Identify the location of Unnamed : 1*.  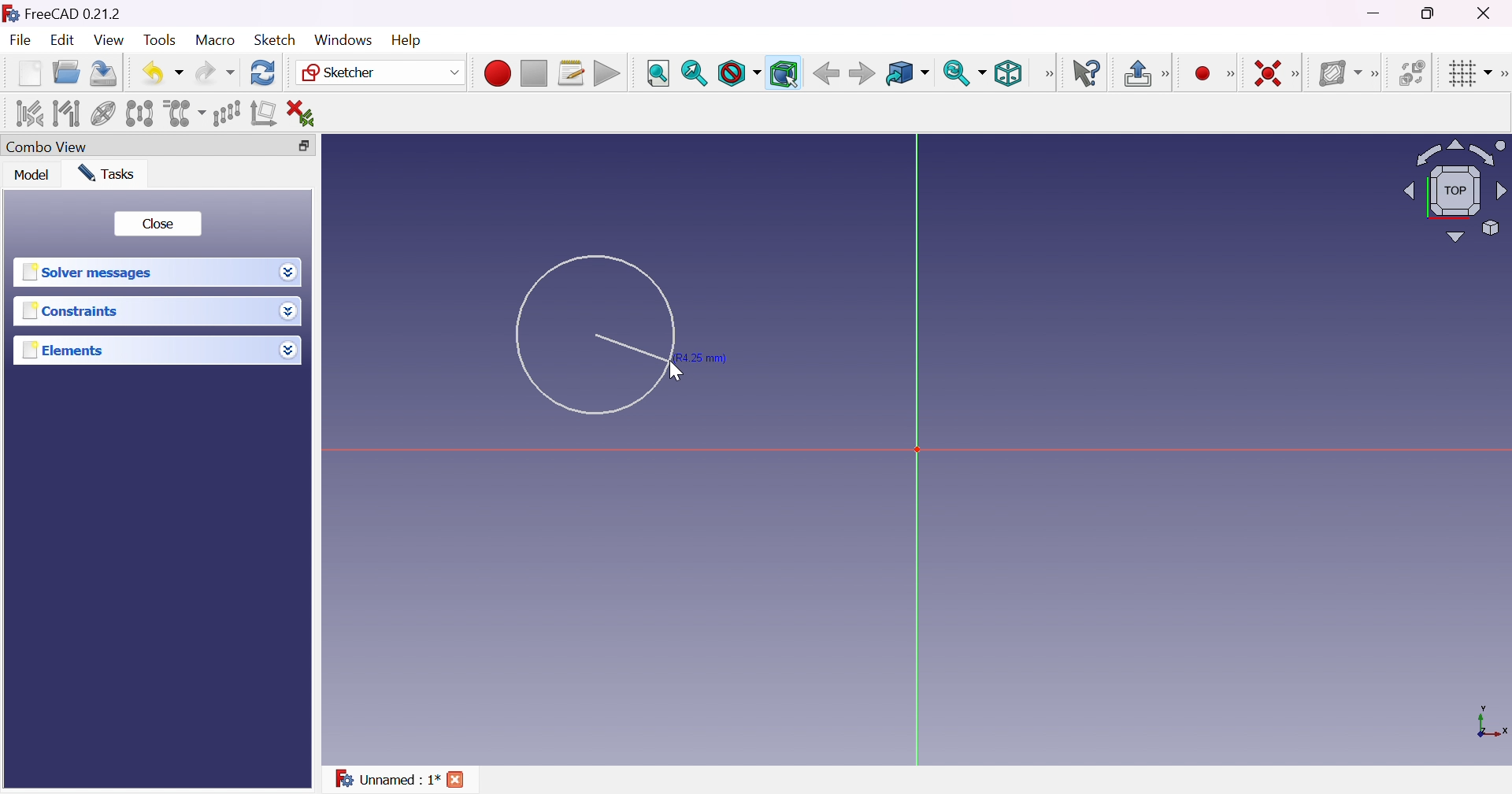
(386, 777).